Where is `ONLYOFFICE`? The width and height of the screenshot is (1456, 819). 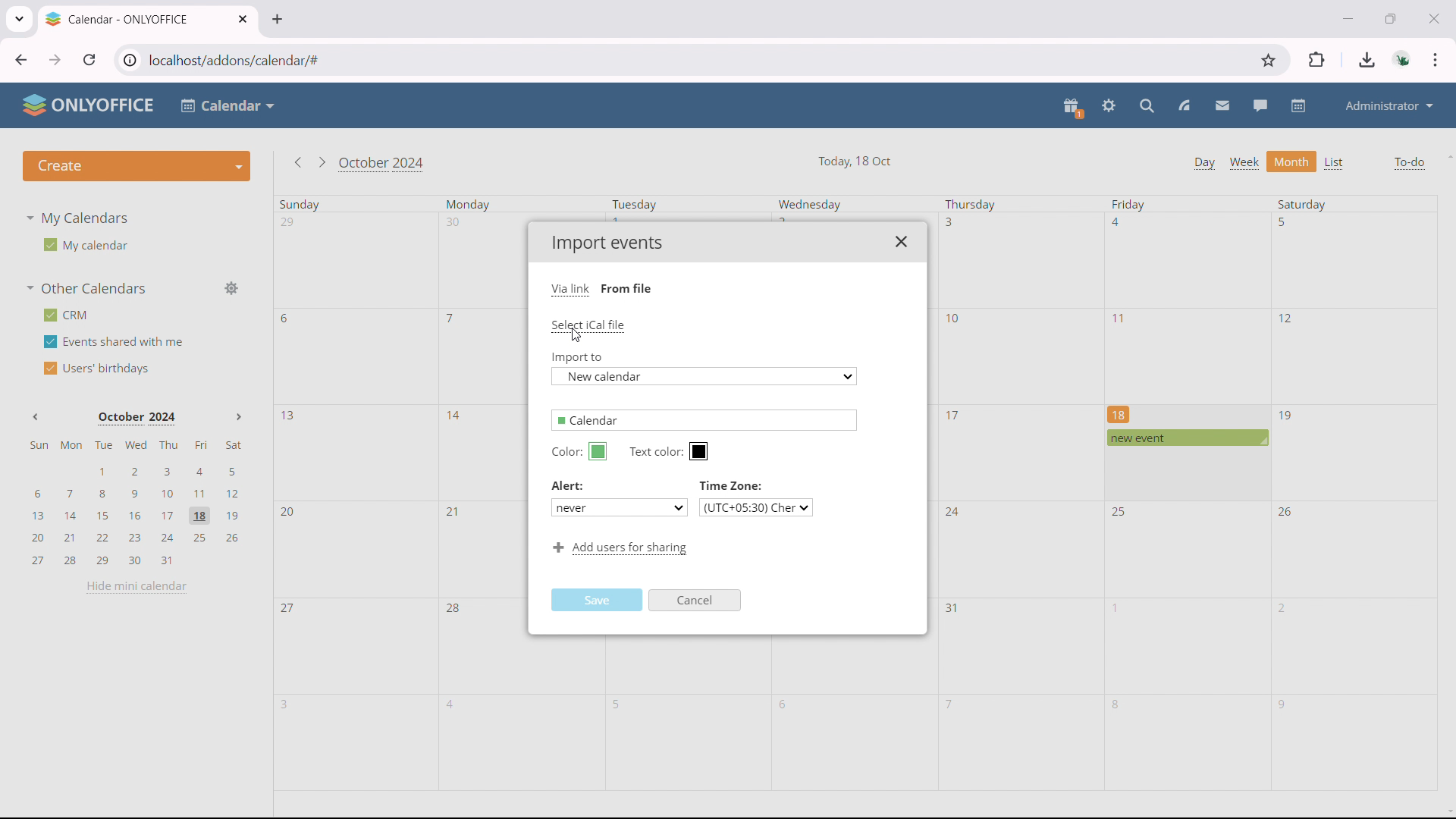 ONLYOFFICE is located at coordinates (89, 105).